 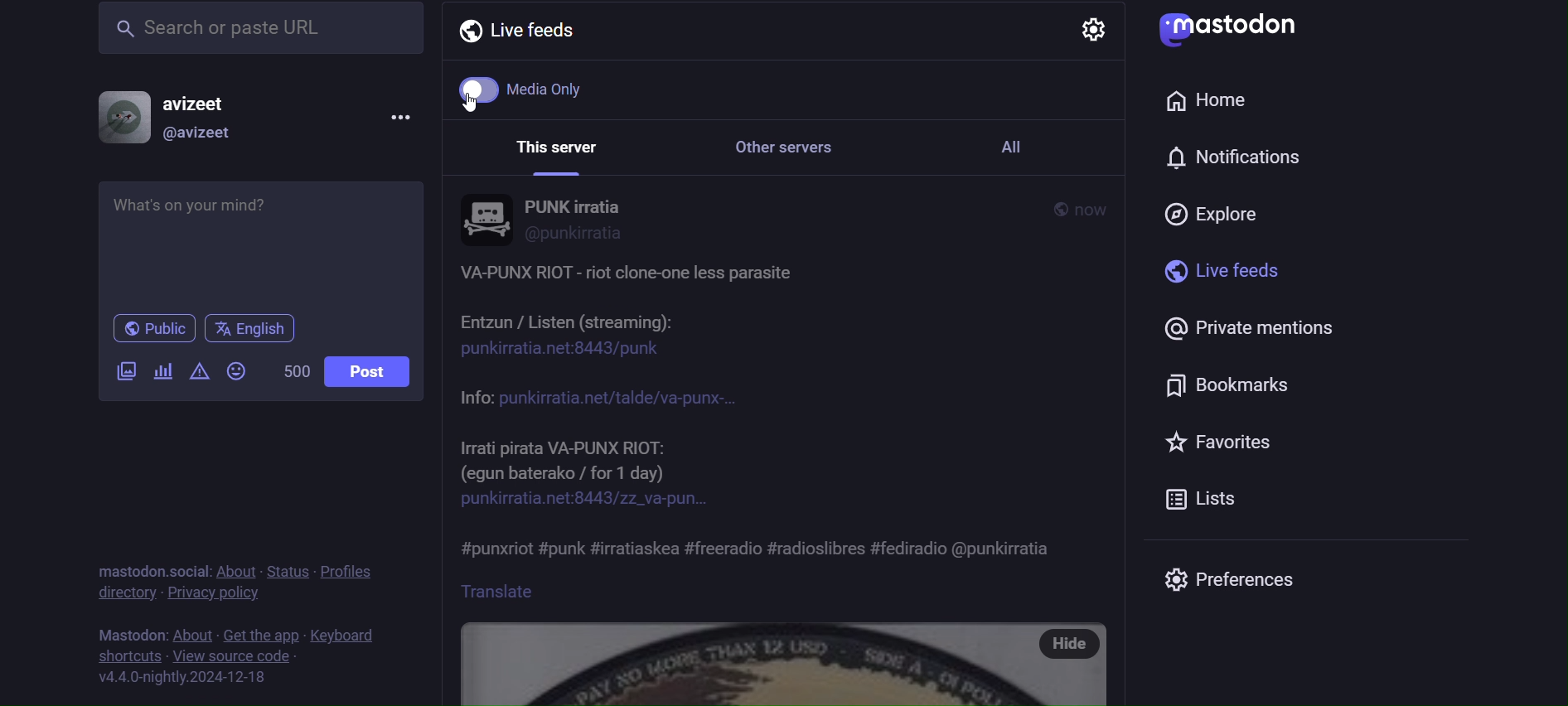 I want to click on translate, so click(x=527, y=591).